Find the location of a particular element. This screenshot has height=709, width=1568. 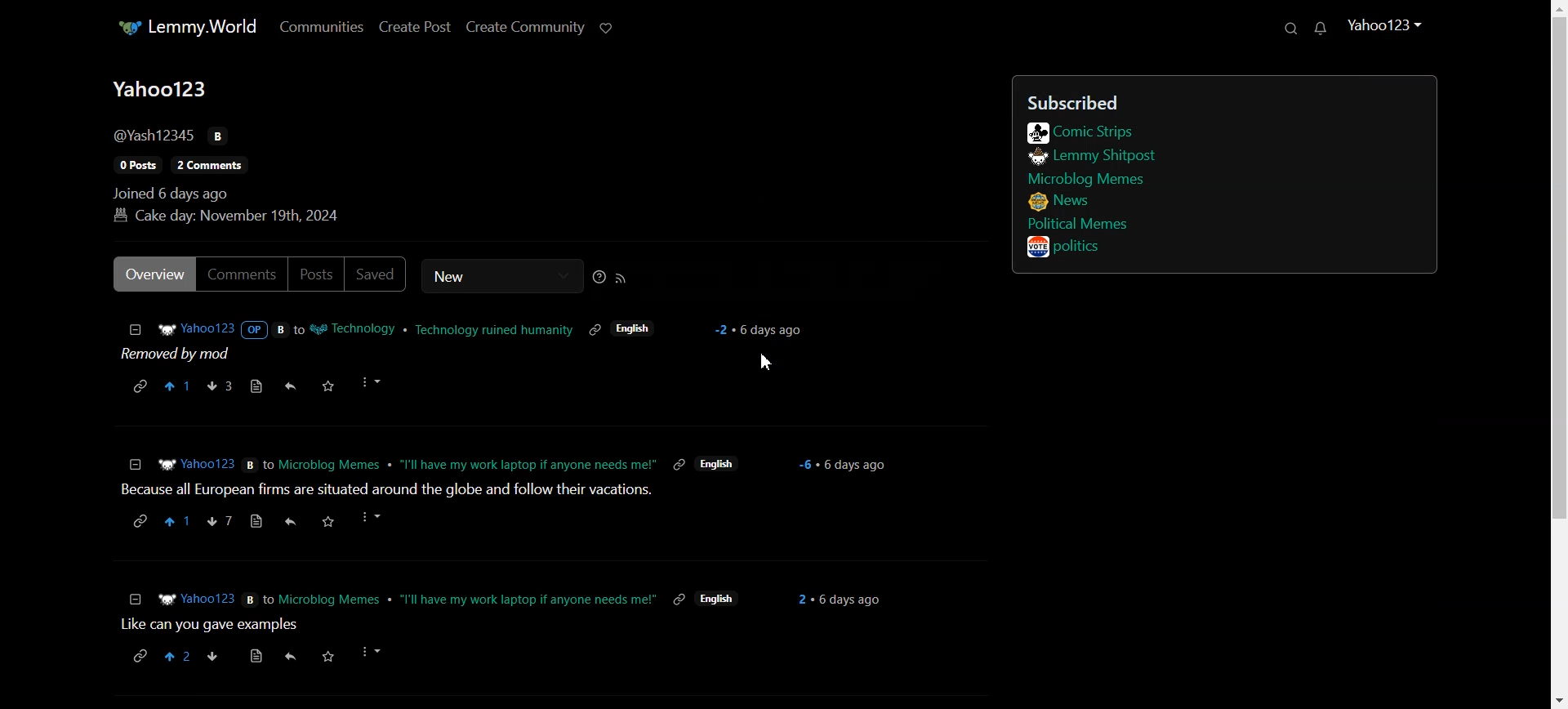

yahoo123 is located at coordinates (196, 464).